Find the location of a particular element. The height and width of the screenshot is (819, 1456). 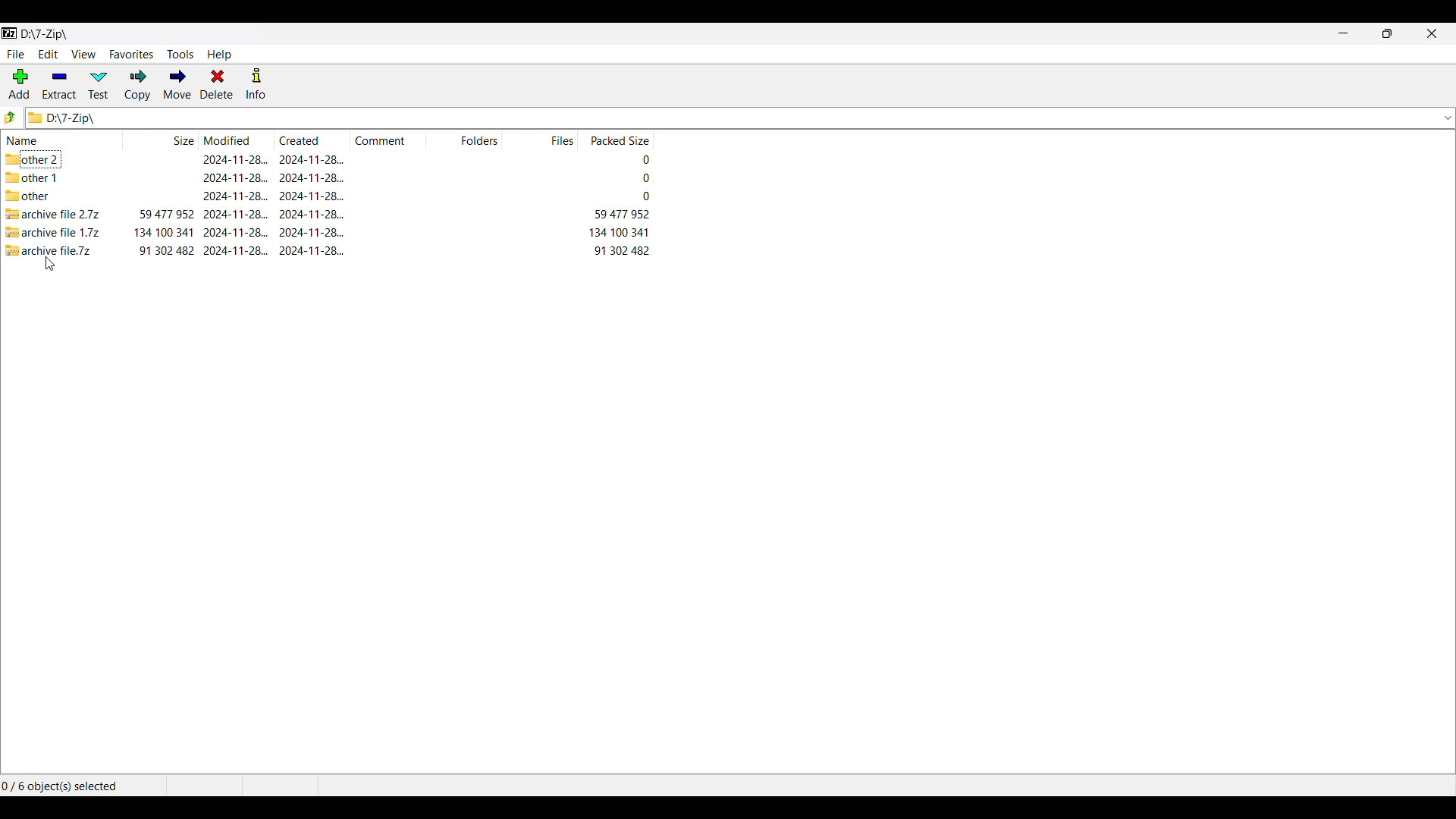

created date & time is located at coordinates (312, 250).